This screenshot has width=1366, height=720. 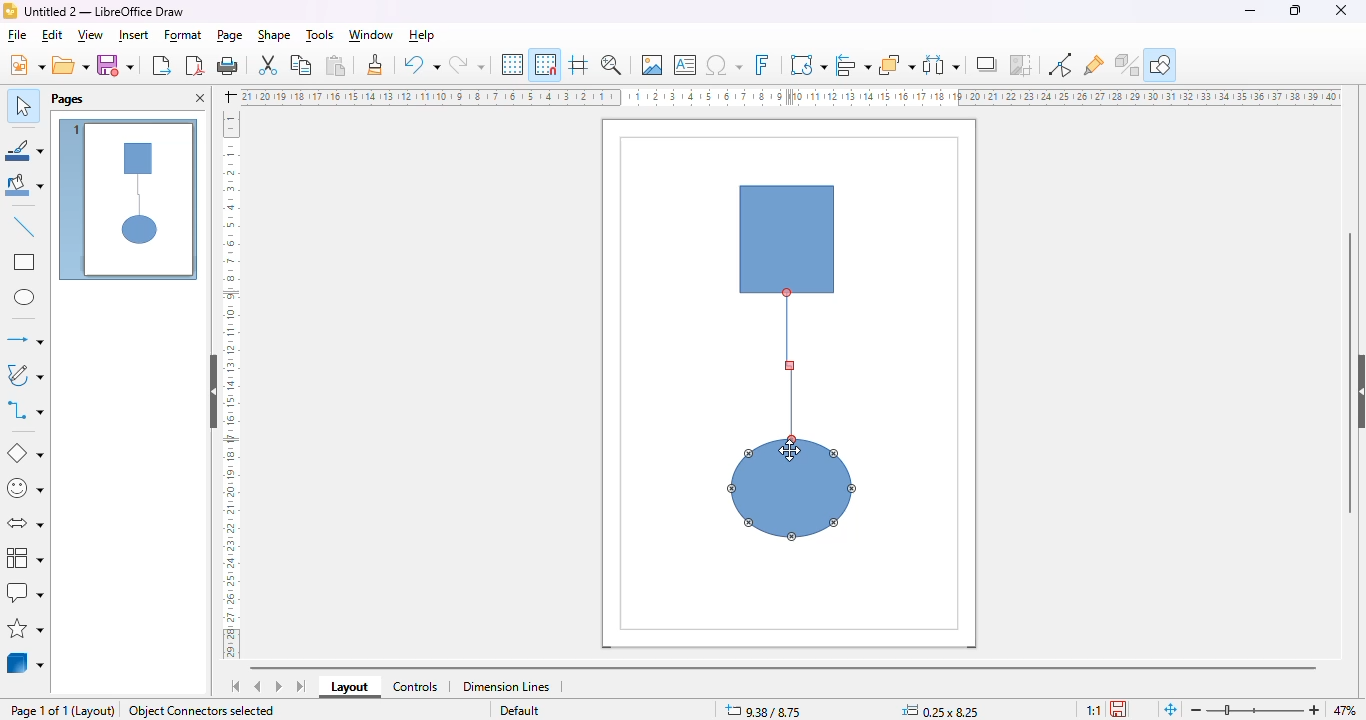 I want to click on shape, so click(x=273, y=35).